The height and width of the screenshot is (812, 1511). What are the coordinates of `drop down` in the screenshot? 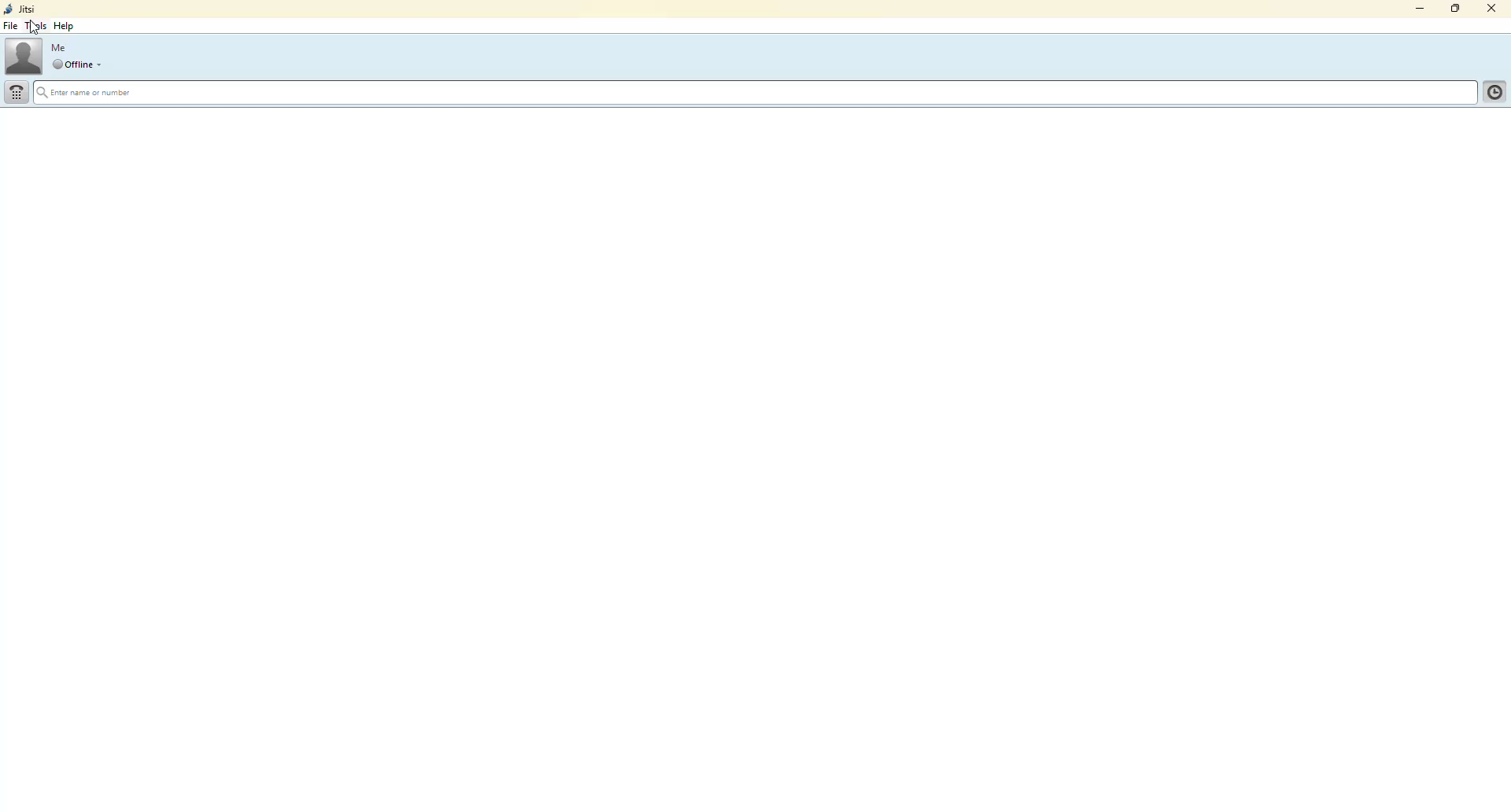 It's located at (103, 65).